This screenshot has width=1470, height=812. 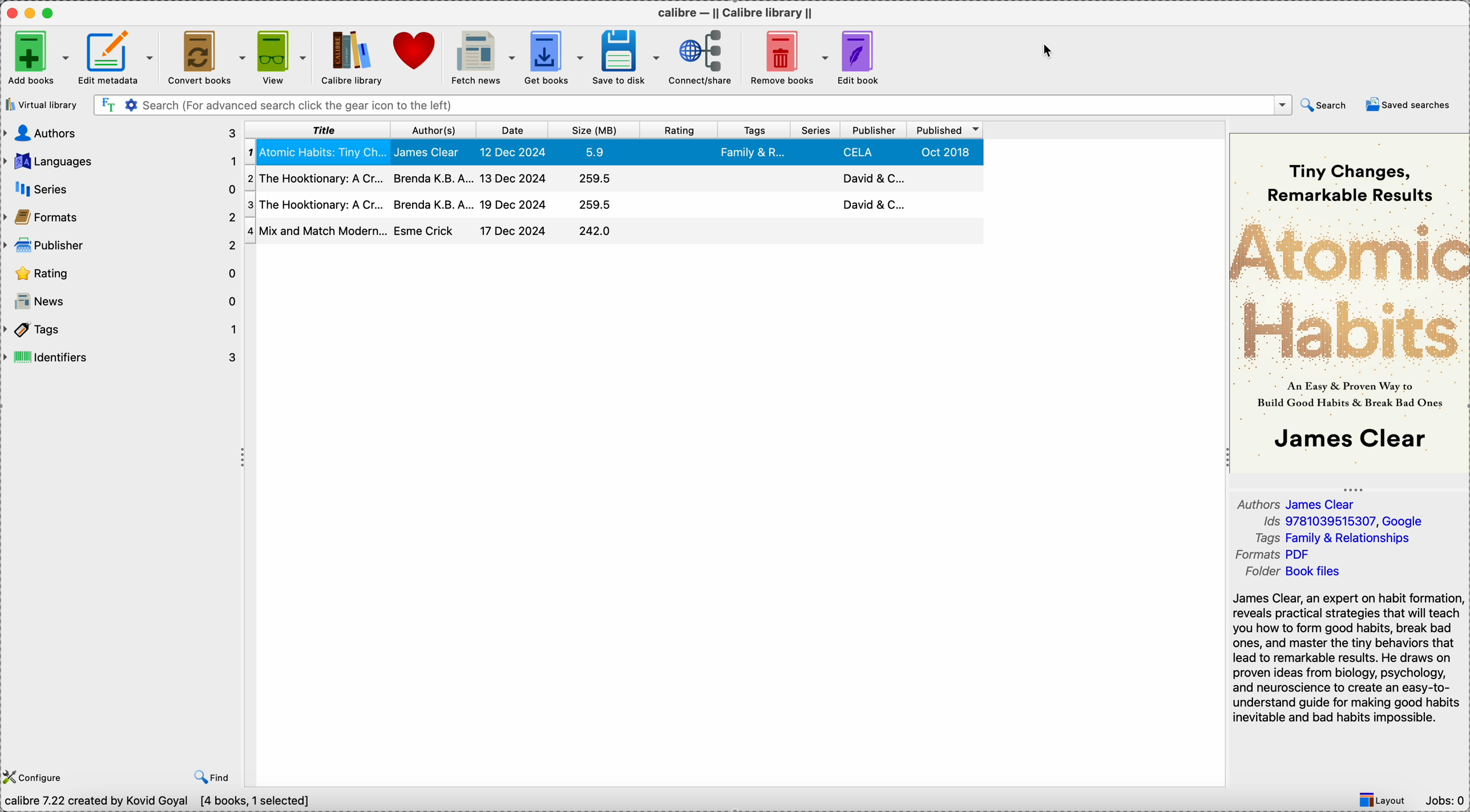 What do you see at coordinates (1340, 538) in the screenshot?
I see `tags` at bounding box center [1340, 538].